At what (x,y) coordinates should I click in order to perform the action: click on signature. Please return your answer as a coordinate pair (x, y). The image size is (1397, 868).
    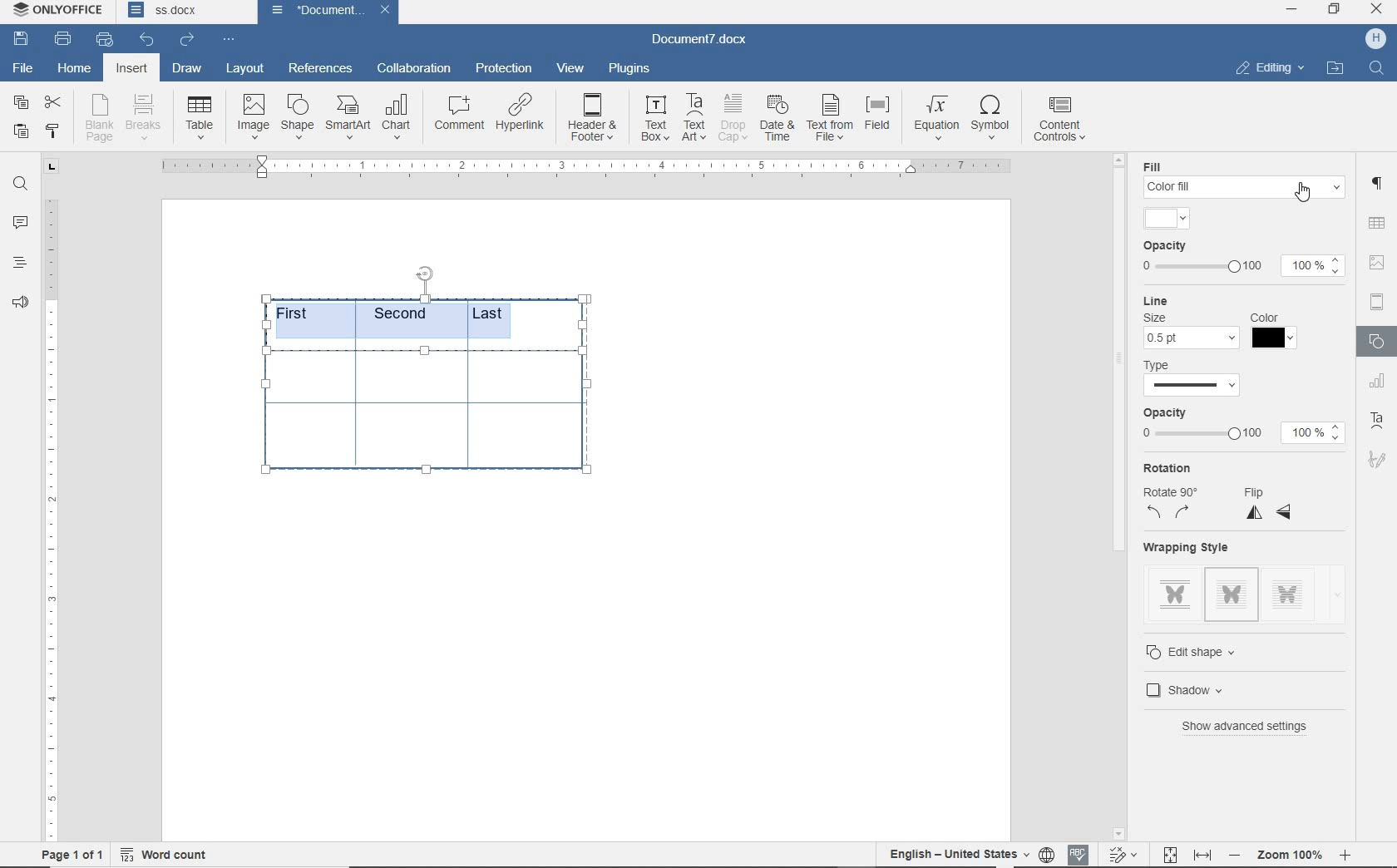
    Looking at the image, I should click on (1379, 462).